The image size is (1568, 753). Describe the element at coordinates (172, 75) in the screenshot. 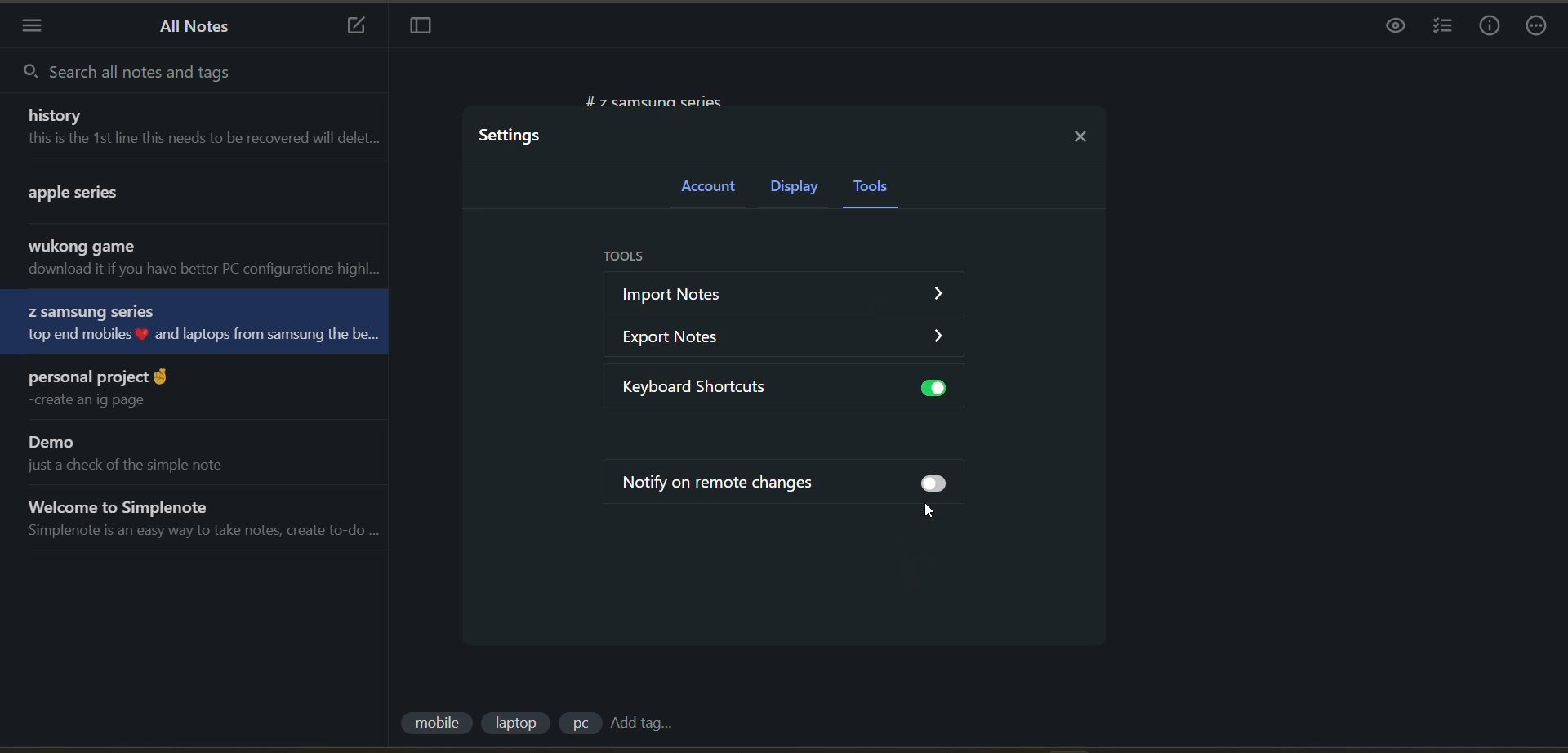

I see `search all notes and tags` at that location.